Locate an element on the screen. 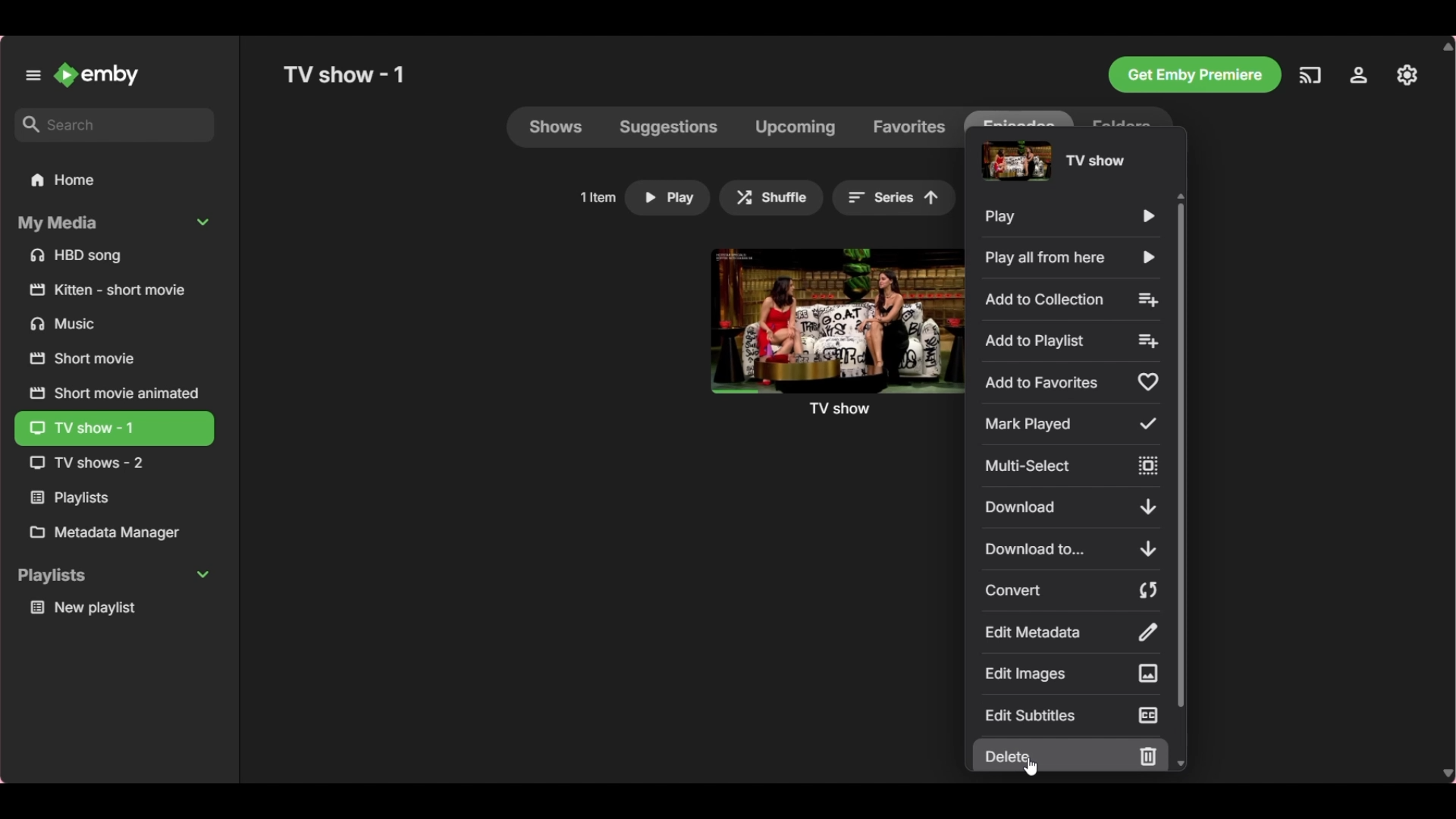 This screenshot has width=1456, height=819. Favorites is located at coordinates (909, 127).